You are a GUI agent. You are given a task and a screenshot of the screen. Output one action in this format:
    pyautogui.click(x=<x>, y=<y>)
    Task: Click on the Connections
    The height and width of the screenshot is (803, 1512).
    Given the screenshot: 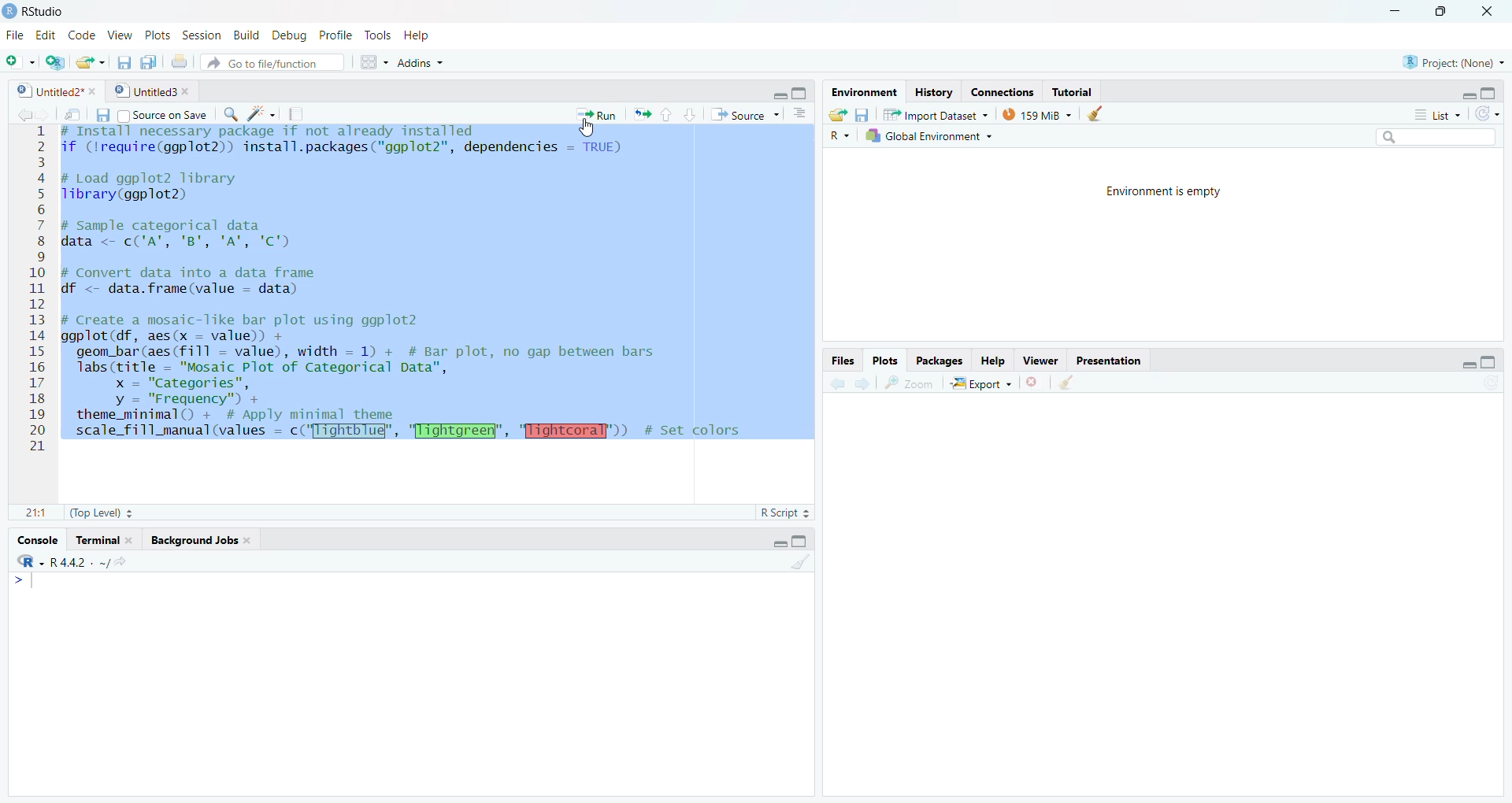 What is the action you would take?
    pyautogui.click(x=1004, y=92)
    